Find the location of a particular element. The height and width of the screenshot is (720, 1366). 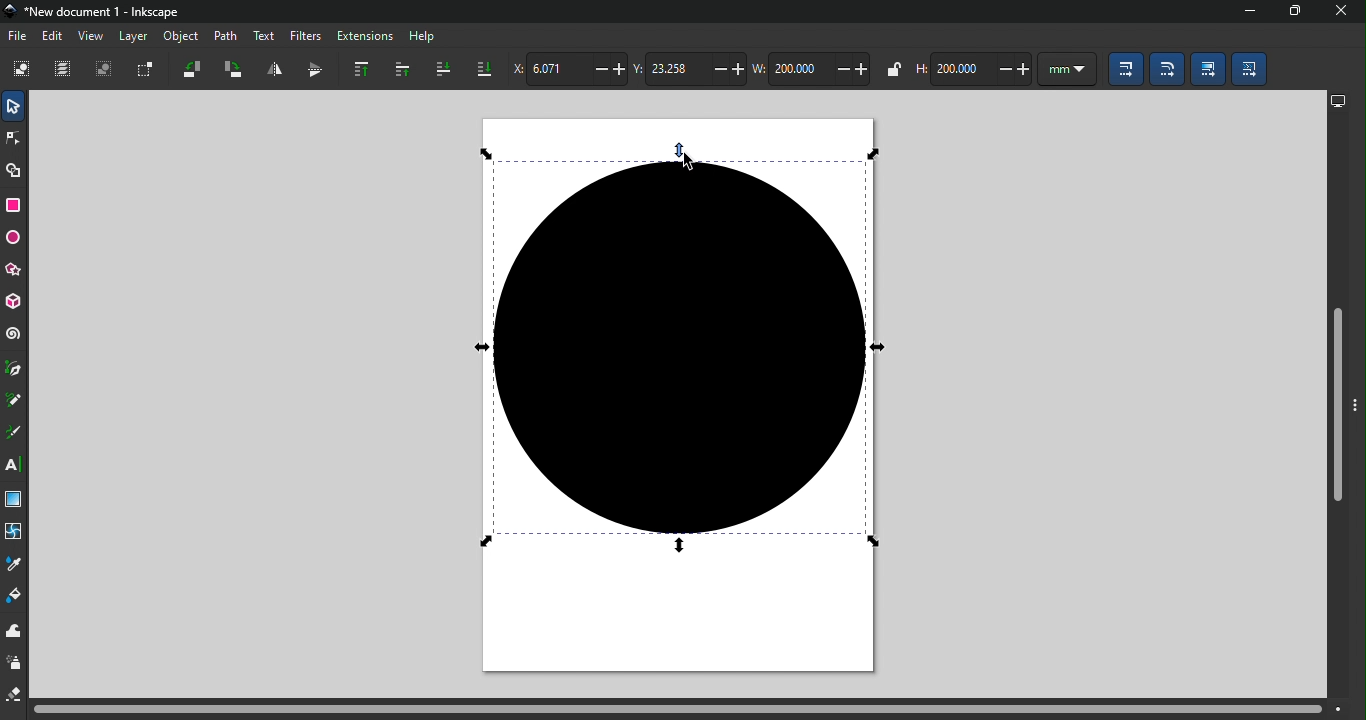

Lower selection to bottom is located at coordinates (482, 71).